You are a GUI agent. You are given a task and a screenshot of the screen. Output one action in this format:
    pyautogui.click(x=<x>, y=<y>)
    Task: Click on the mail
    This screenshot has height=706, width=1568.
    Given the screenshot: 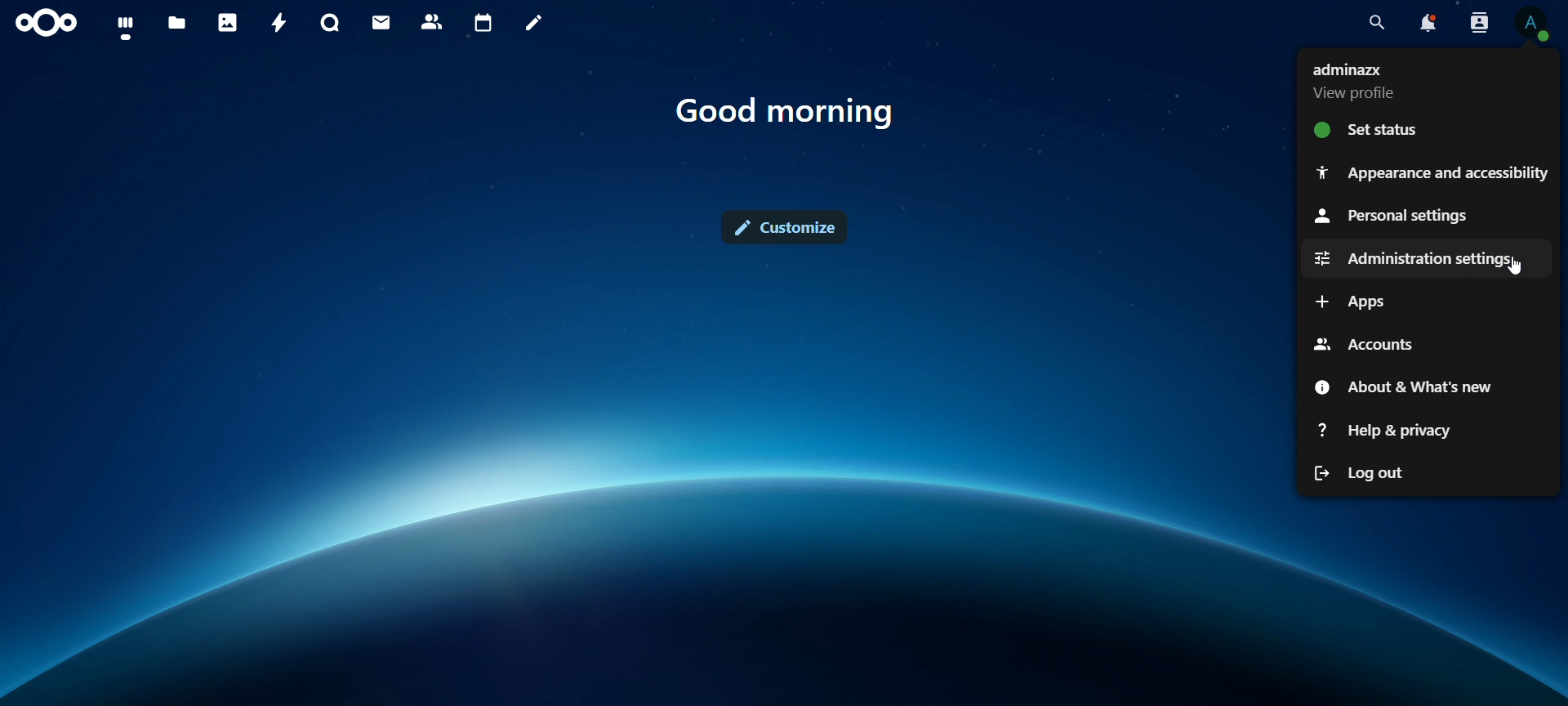 What is the action you would take?
    pyautogui.click(x=382, y=25)
    